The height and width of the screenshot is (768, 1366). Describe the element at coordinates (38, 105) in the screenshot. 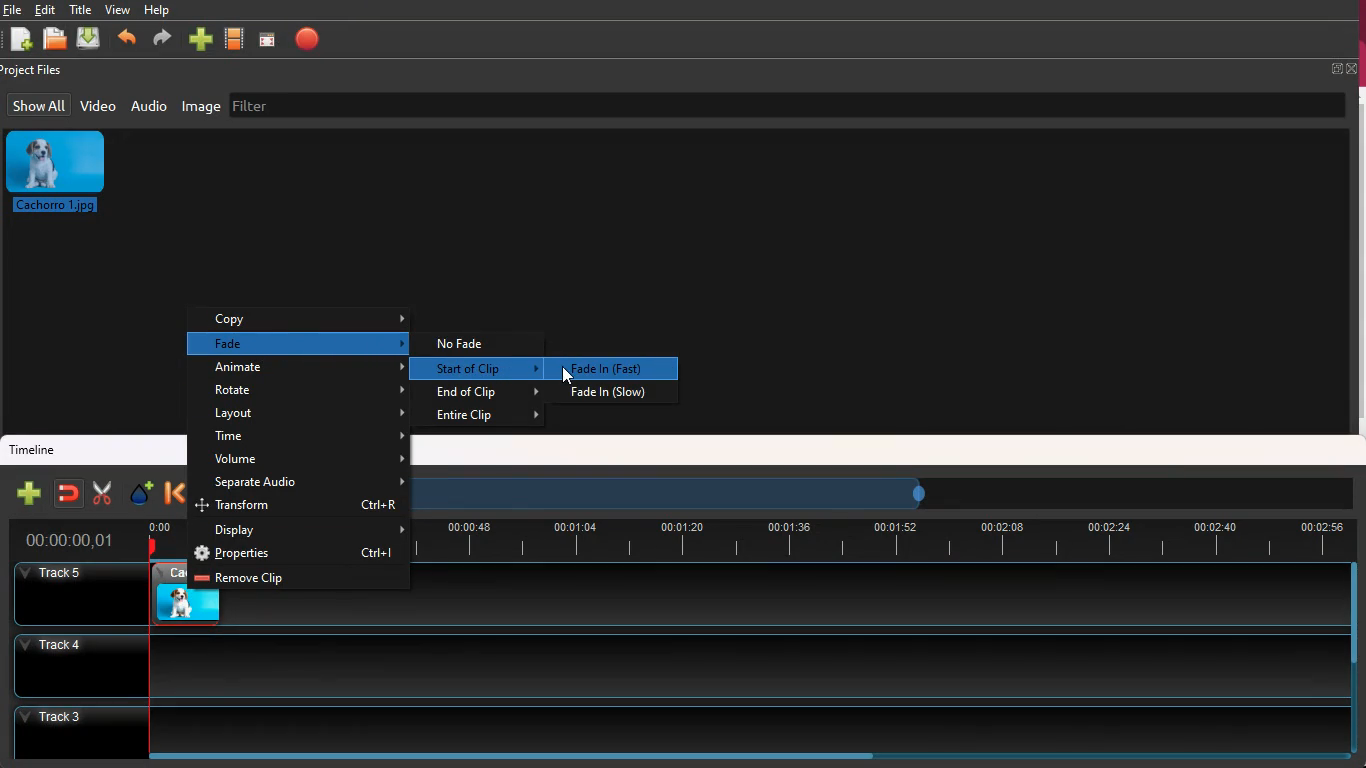

I see `show all` at that location.